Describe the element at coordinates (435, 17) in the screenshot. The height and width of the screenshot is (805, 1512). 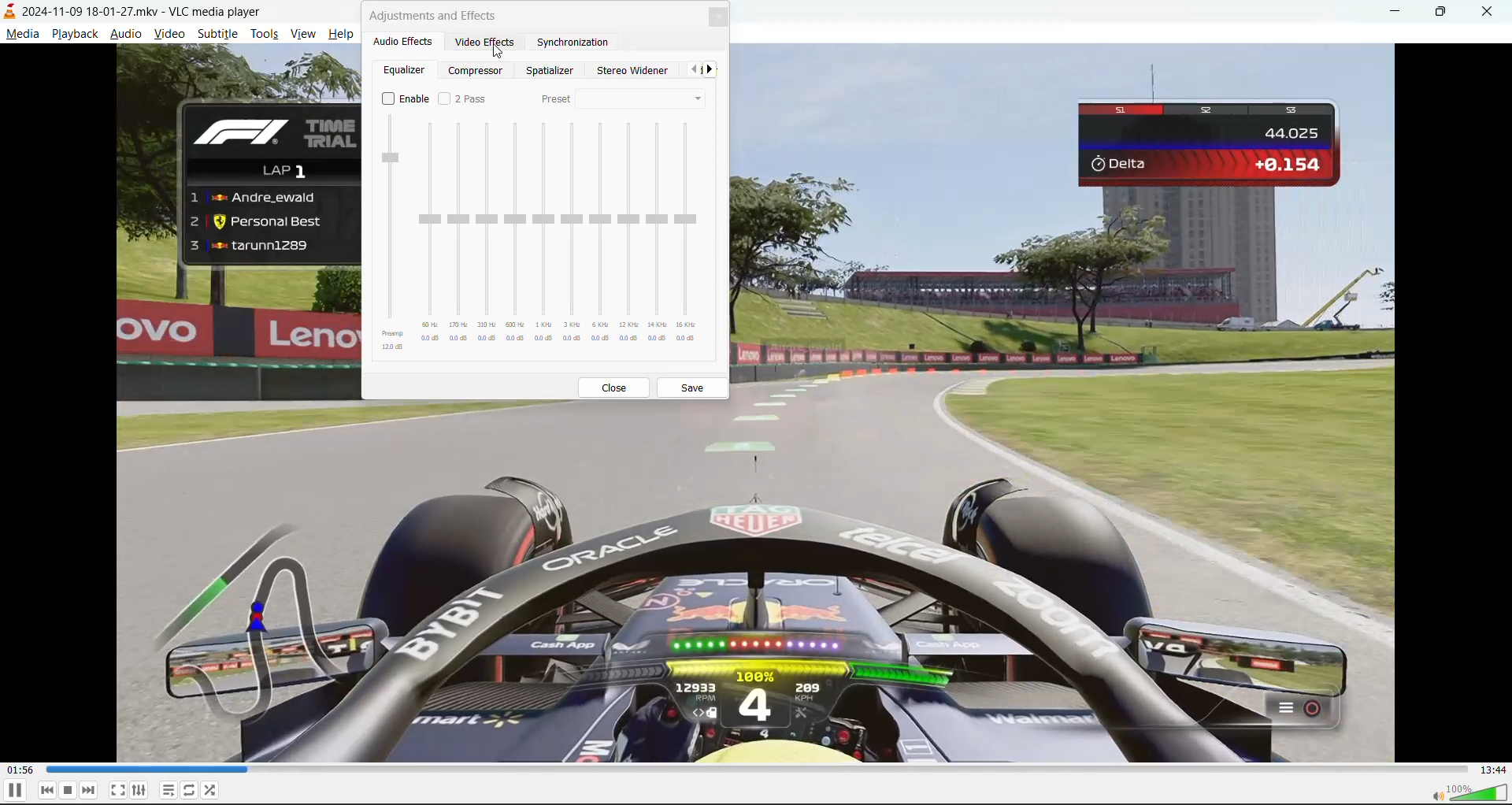
I see `adjustments and  effects` at that location.